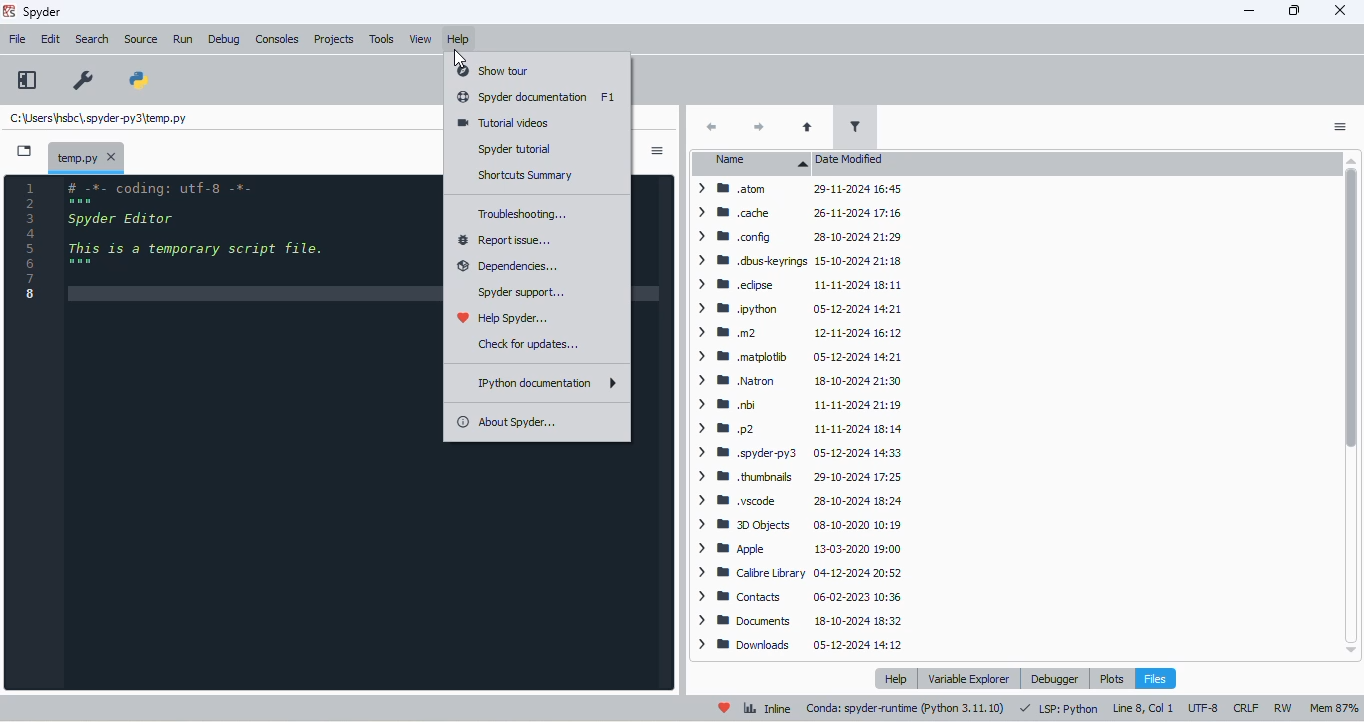 Image resolution: width=1364 pixels, height=722 pixels. What do you see at coordinates (111, 157) in the screenshot?
I see `close` at bounding box center [111, 157].